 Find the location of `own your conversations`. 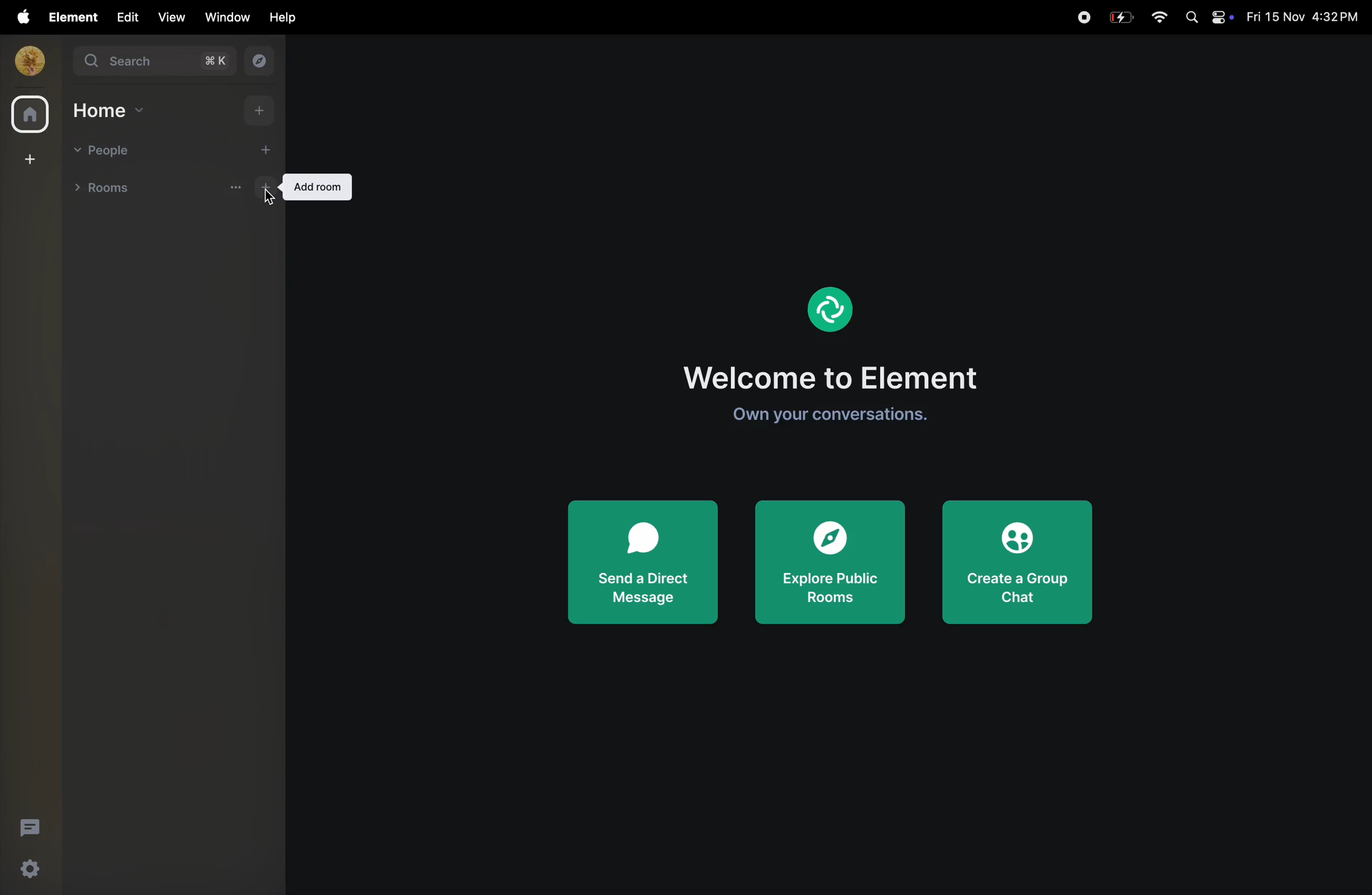

own your conversations is located at coordinates (843, 414).